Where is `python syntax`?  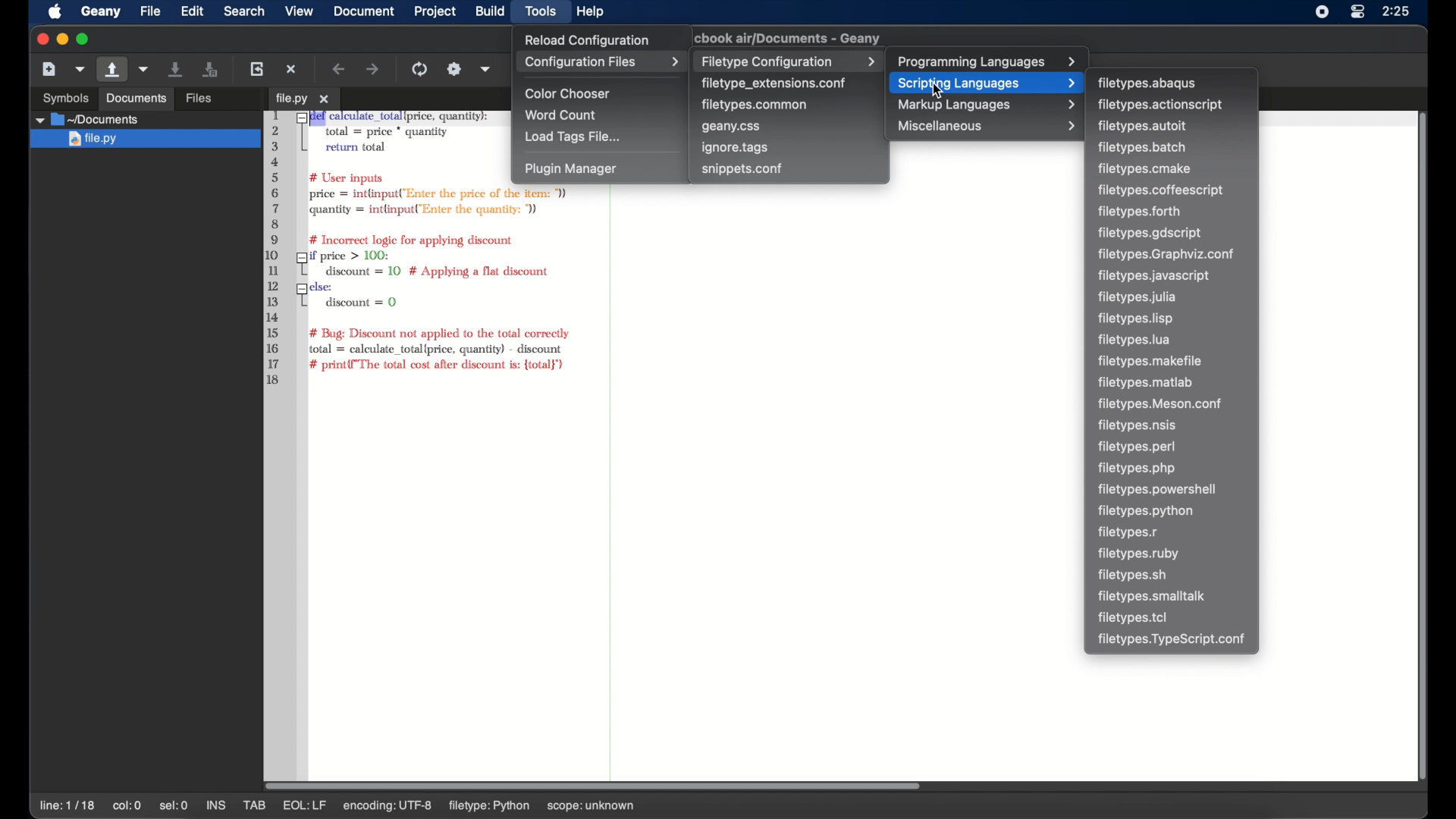
python syntax is located at coordinates (381, 249).